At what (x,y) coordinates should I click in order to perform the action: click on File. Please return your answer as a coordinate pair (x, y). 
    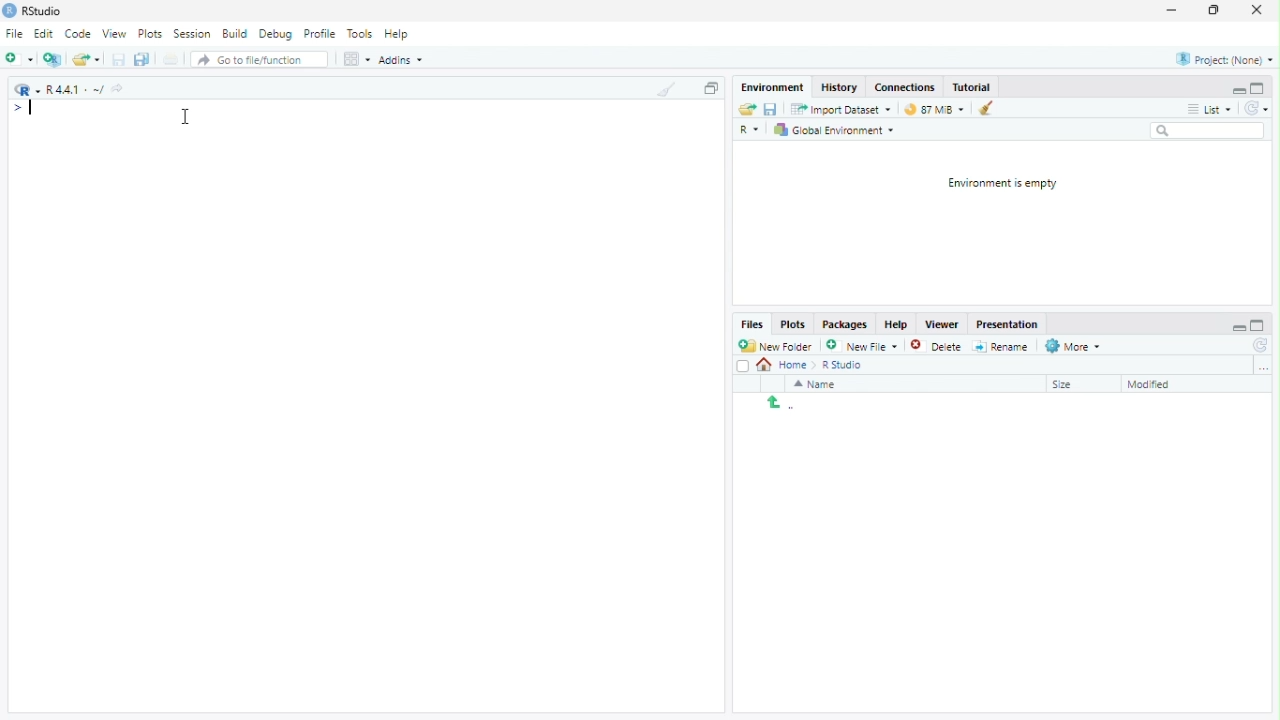
    Looking at the image, I should click on (14, 33).